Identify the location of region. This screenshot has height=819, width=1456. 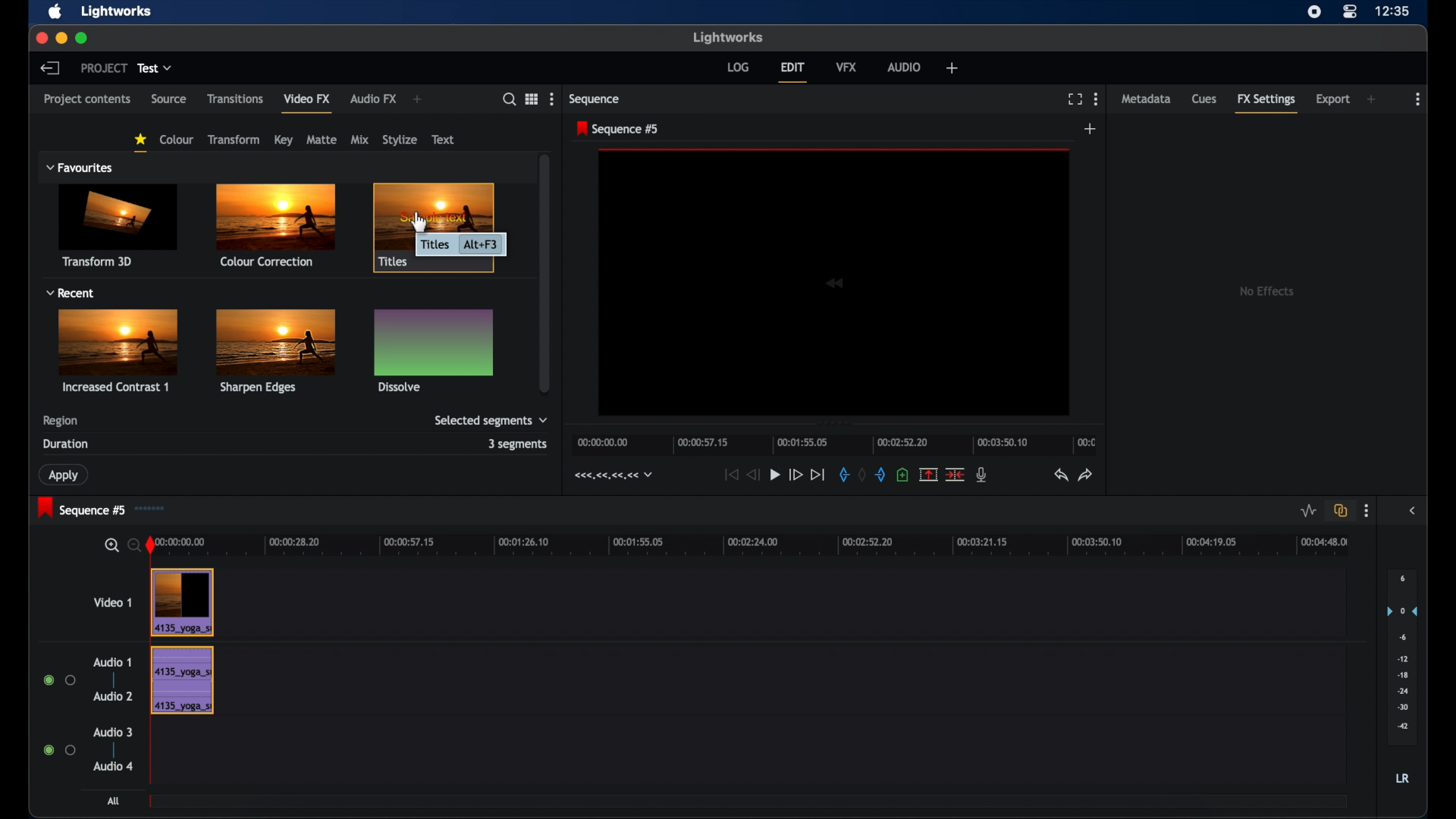
(61, 421).